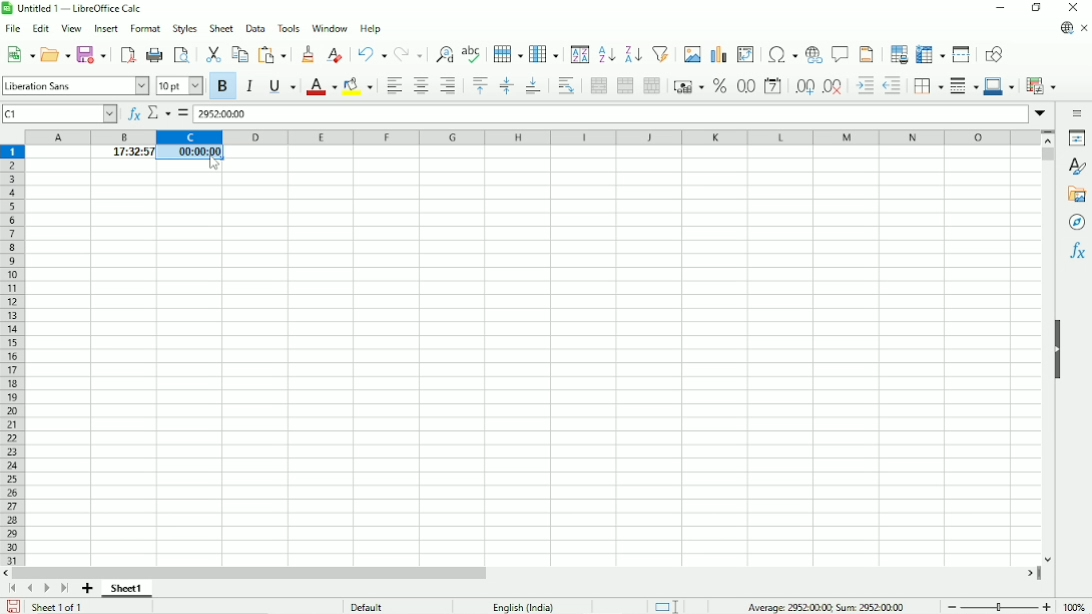 The image size is (1092, 614). What do you see at coordinates (718, 54) in the screenshot?
I see `Insert chart` at bounding box center [718, 54].